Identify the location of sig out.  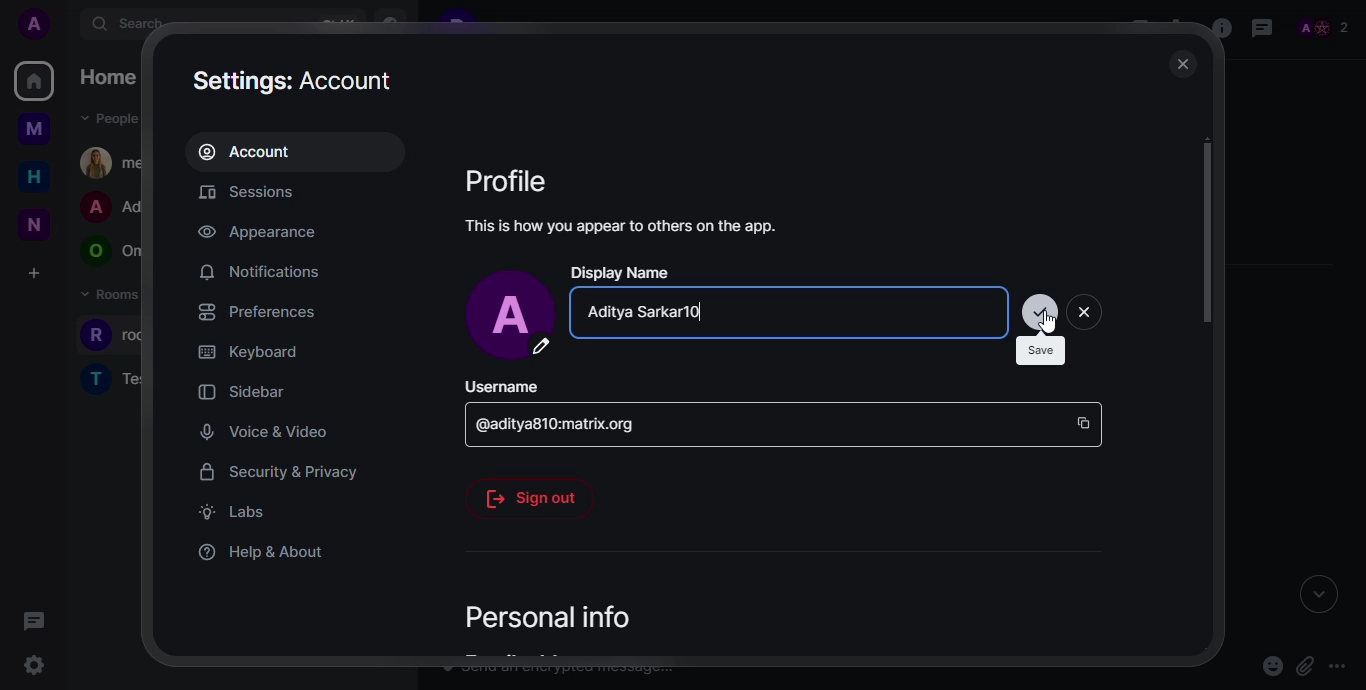
(532, 497).